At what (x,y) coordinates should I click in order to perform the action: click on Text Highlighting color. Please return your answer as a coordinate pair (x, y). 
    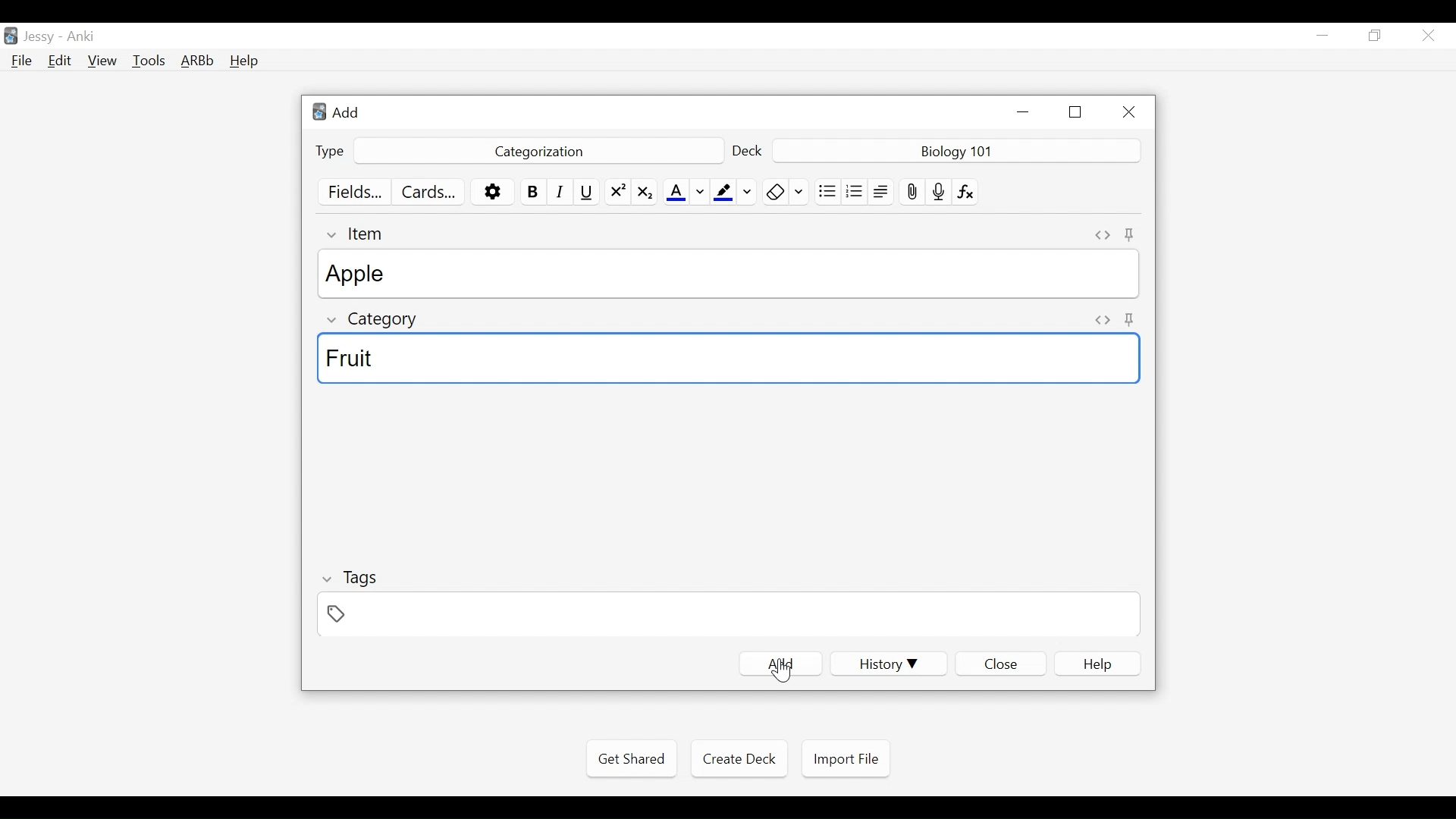
    Looking at the image, I should click on (734, 192).